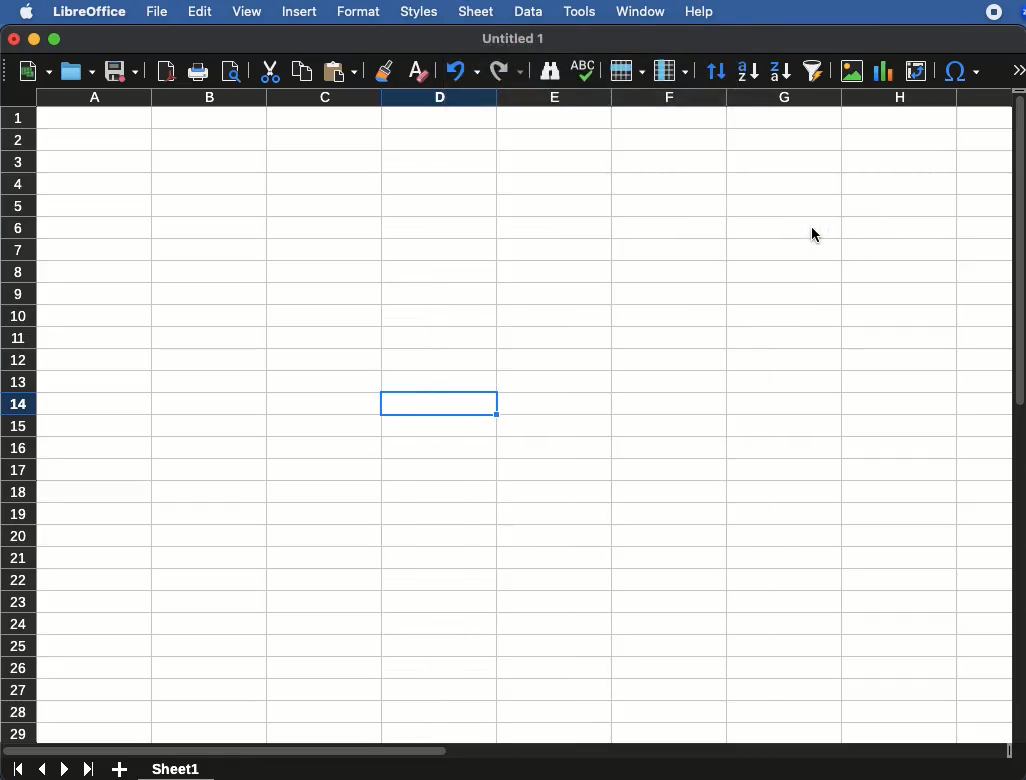 The width and height of the screenshot is (1026, 780). I want to click on minimize, so click(35, 39).